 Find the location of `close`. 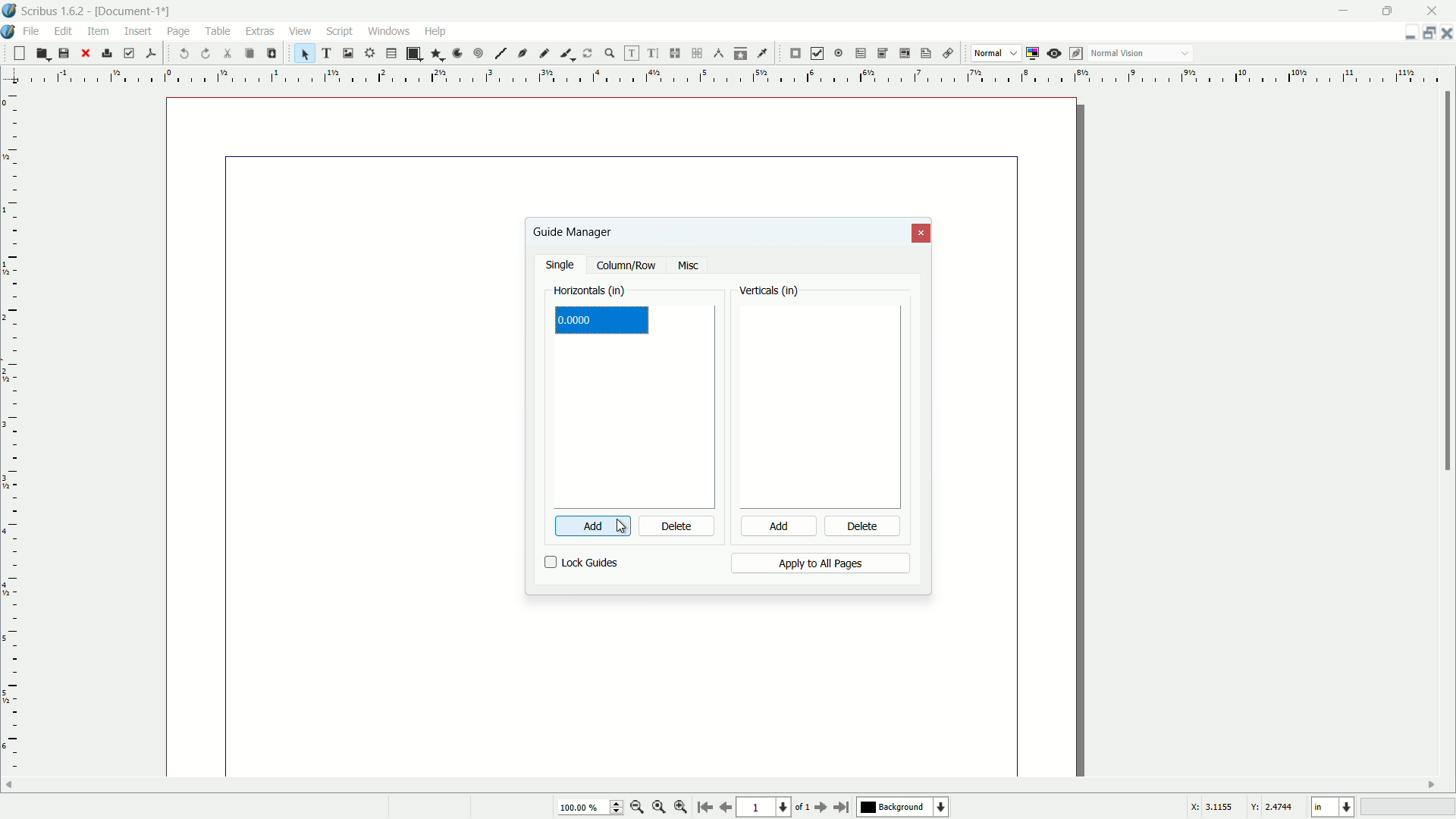

close is located at coordinates (85, 53).